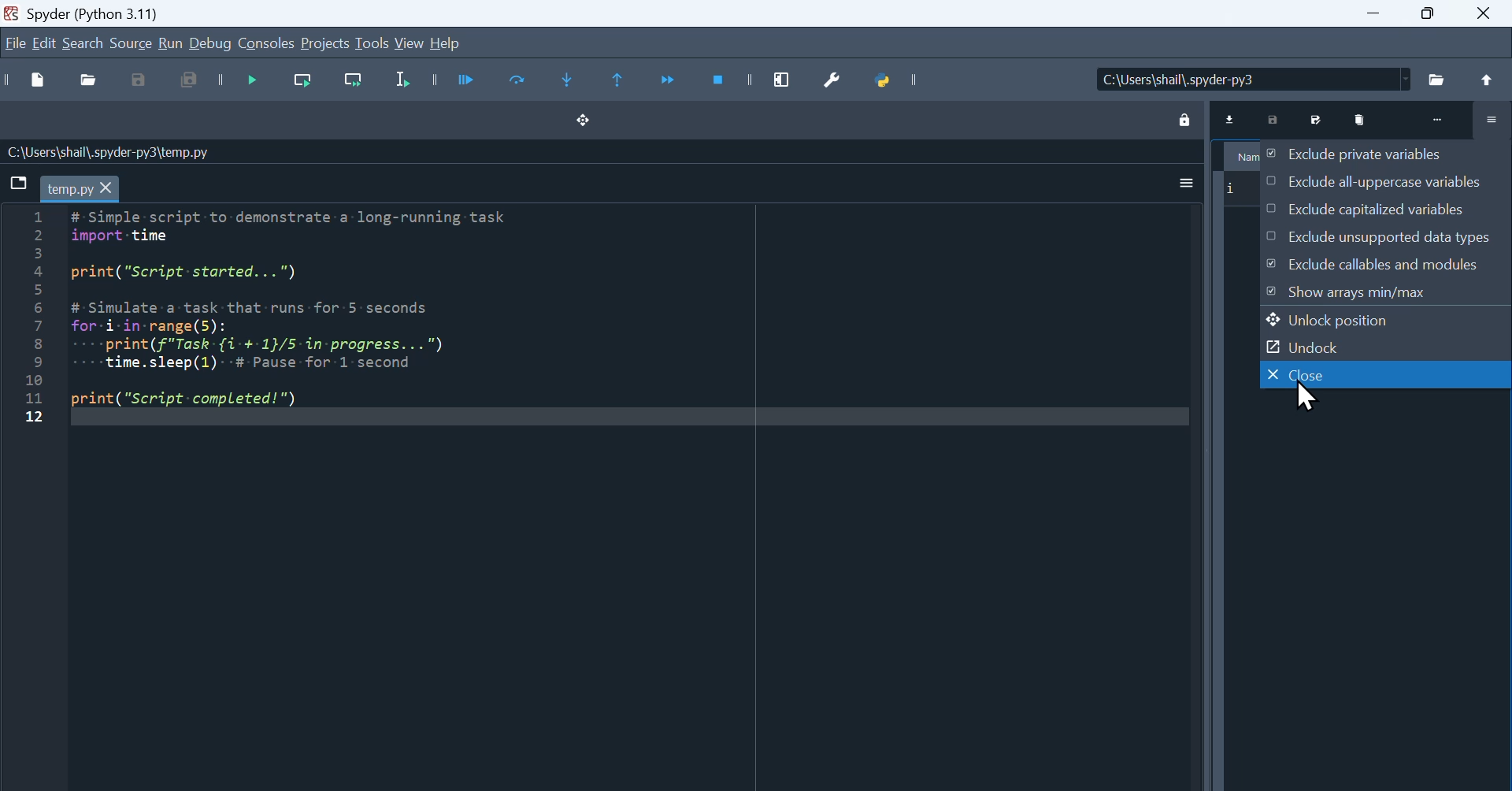  I want to click on Save as, so click(137, 80).